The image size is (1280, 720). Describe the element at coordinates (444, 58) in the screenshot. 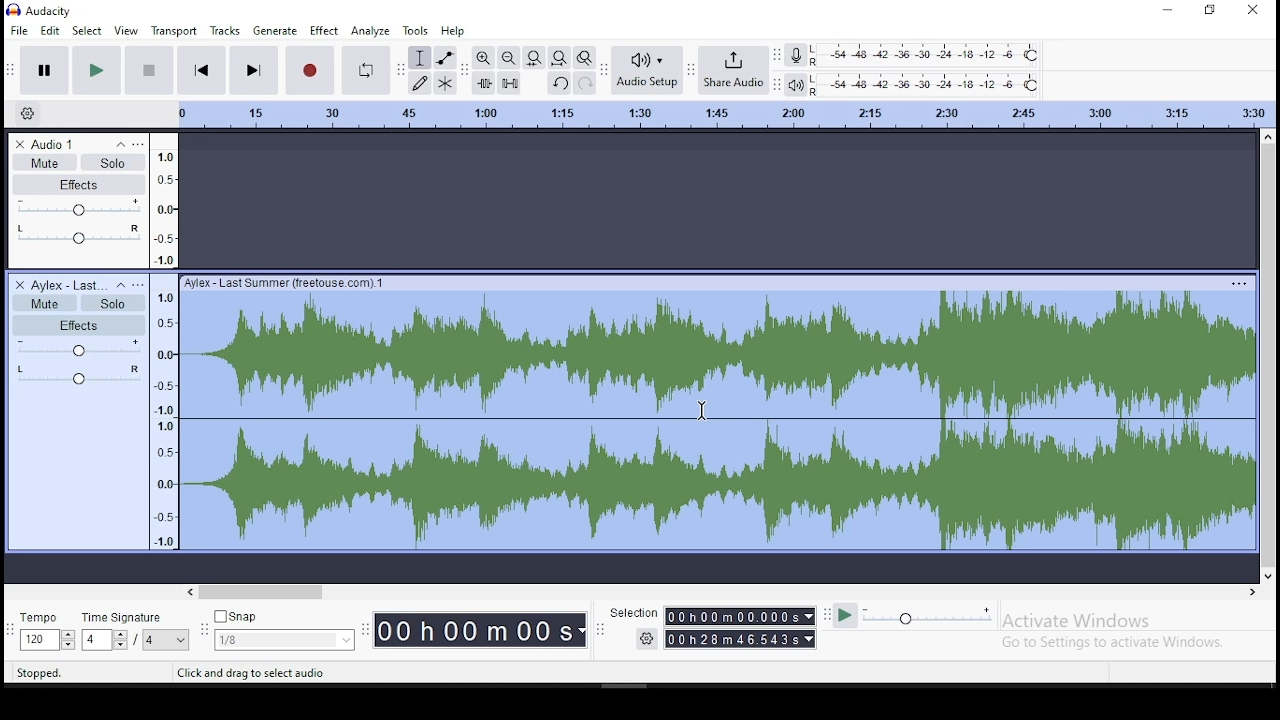

I see `envelope tool` at that location.